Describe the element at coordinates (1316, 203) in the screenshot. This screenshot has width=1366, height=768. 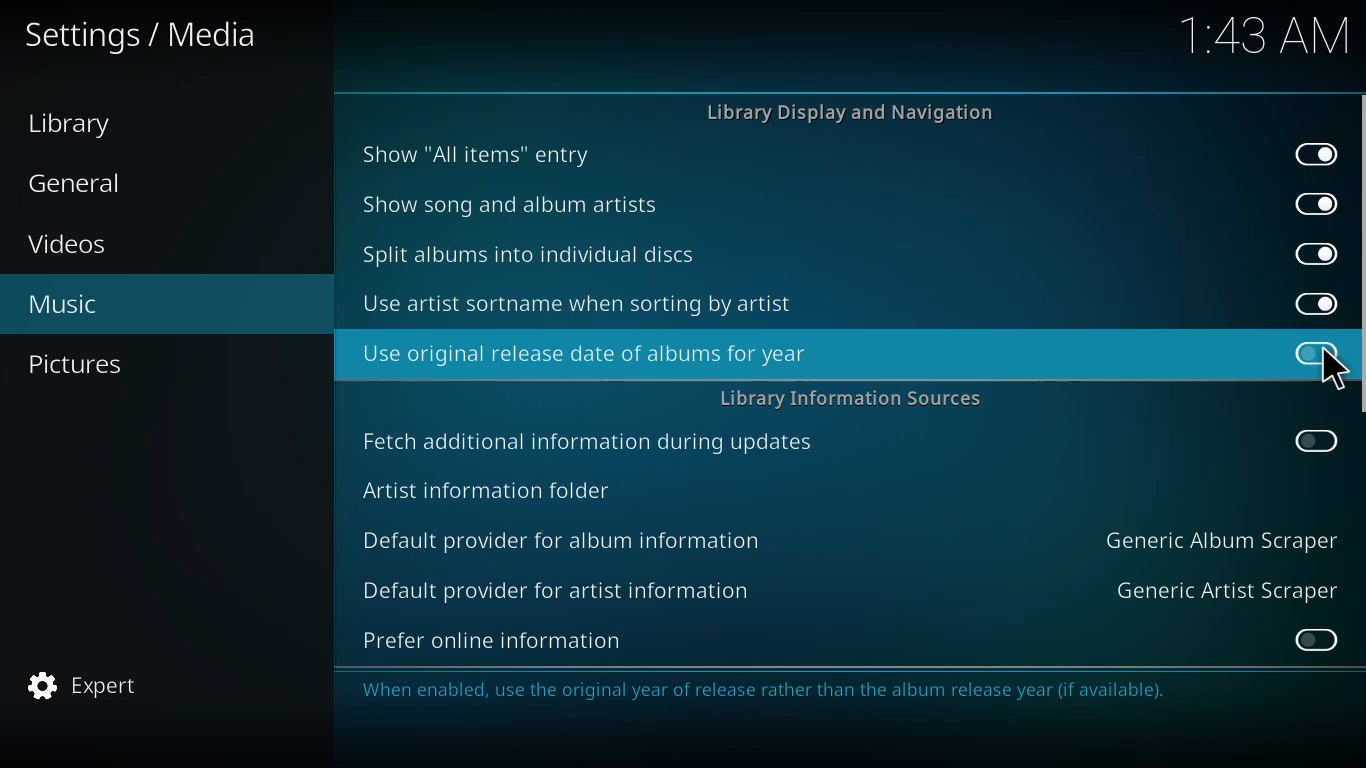
I see `enabled` at that location.